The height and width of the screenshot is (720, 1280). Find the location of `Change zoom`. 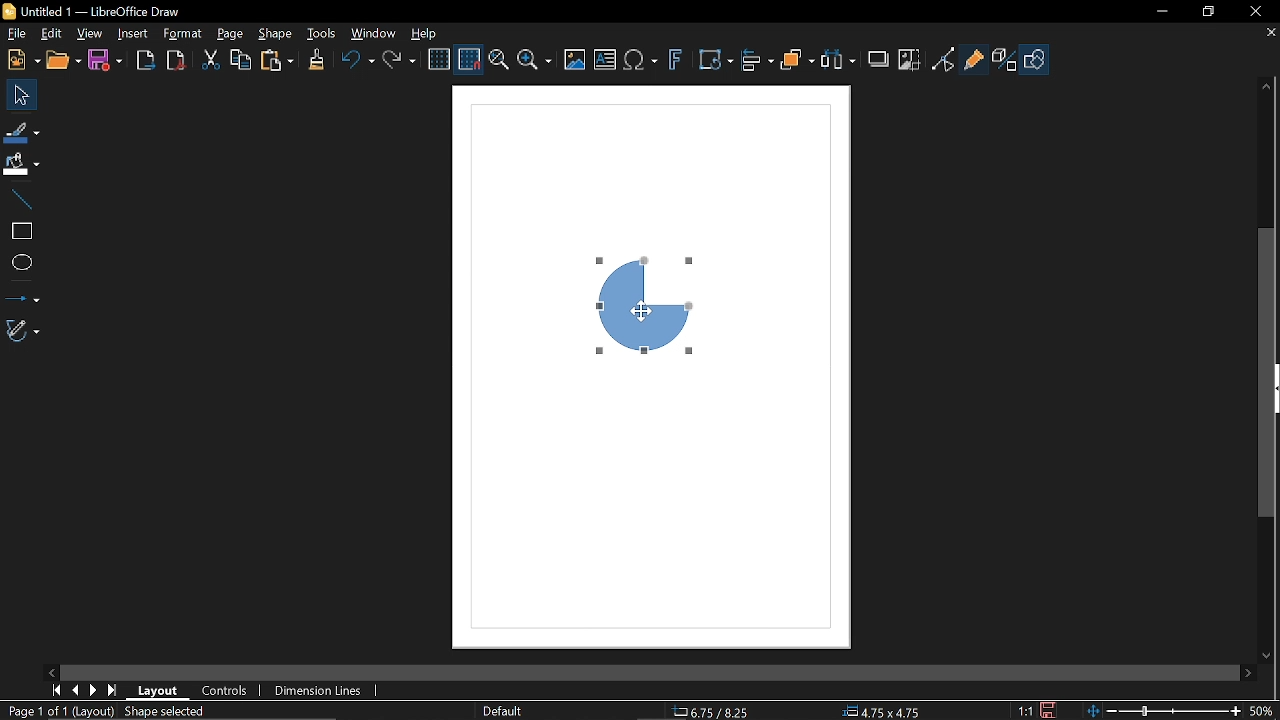

Change zoom is located at coordinates (1161, 710).